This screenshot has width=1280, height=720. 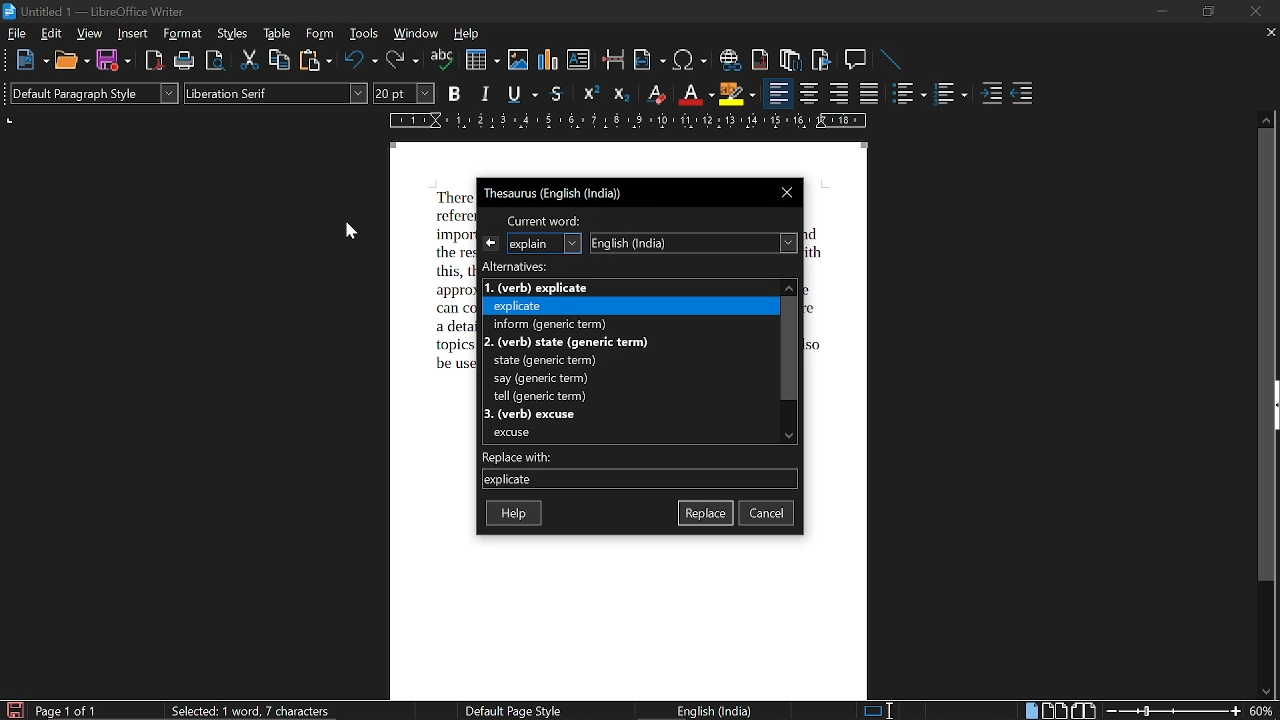 I want to click on scale, so click(x=625, y=122).